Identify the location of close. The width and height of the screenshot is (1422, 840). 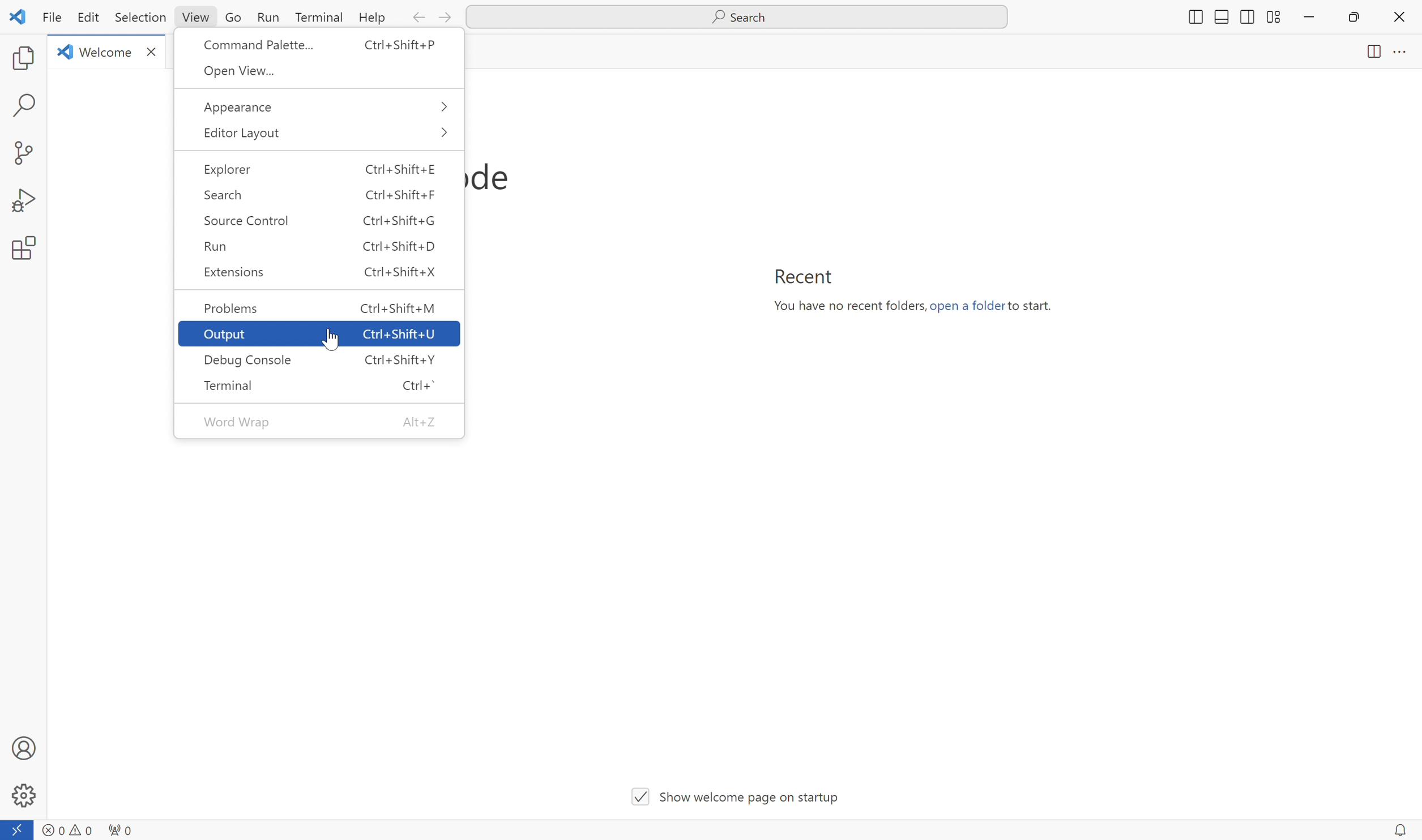
(153, 52).